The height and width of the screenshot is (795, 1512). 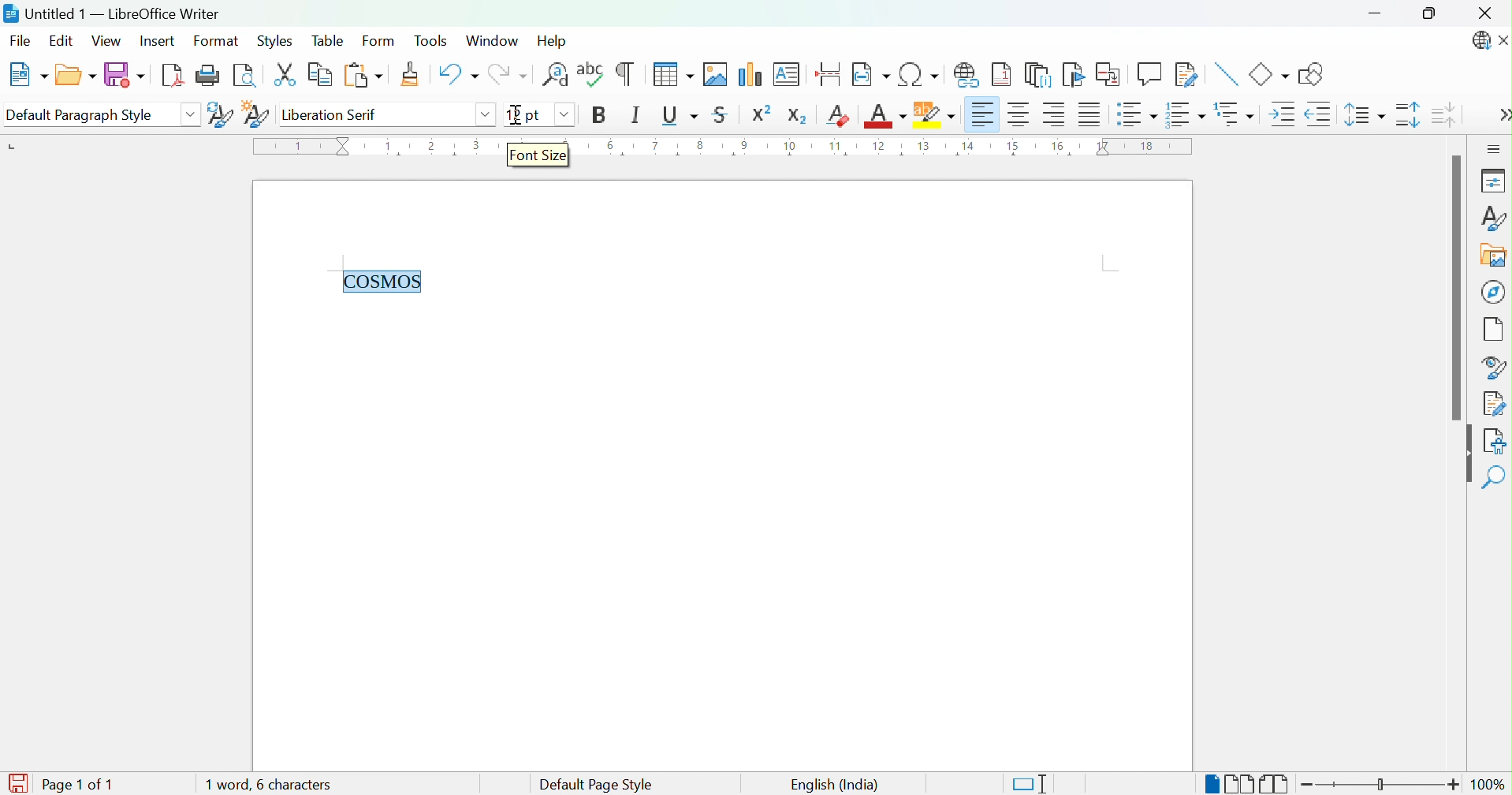 I want to click on Insert Cross-reference, so click(x=1108, y=74).